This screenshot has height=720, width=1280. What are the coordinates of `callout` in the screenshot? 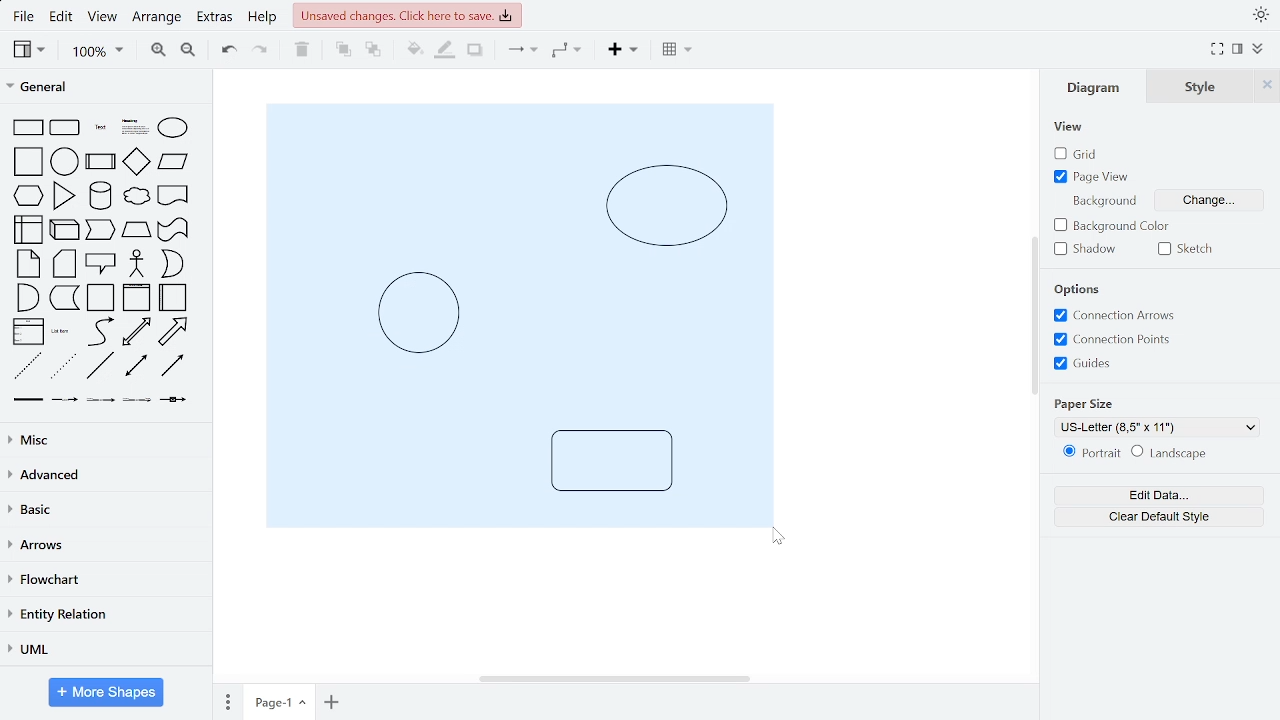 It's located at (101, 263).